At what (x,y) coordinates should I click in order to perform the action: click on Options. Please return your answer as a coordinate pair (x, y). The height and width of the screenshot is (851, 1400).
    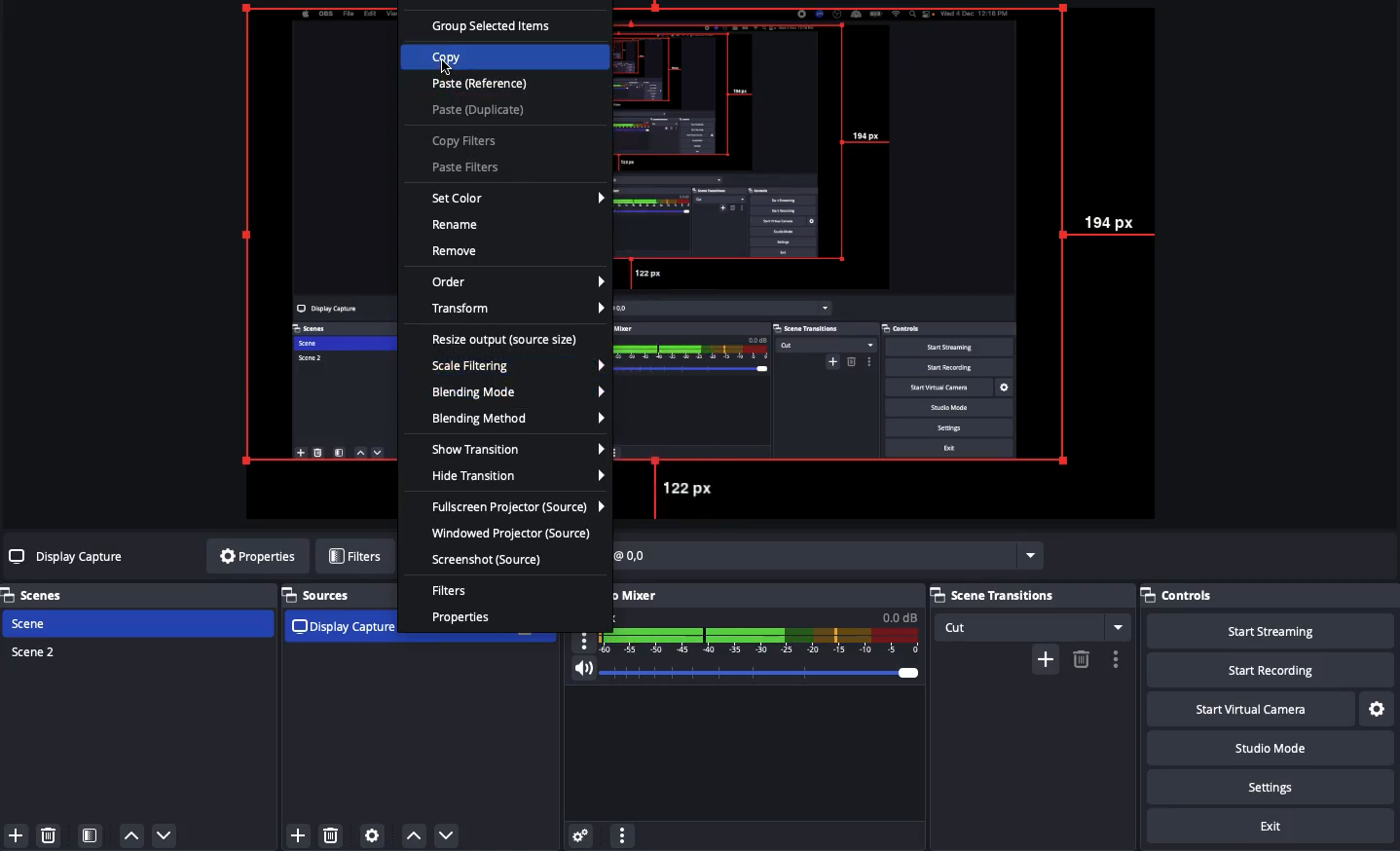
    Looking at the image, I should click on (624, 834).